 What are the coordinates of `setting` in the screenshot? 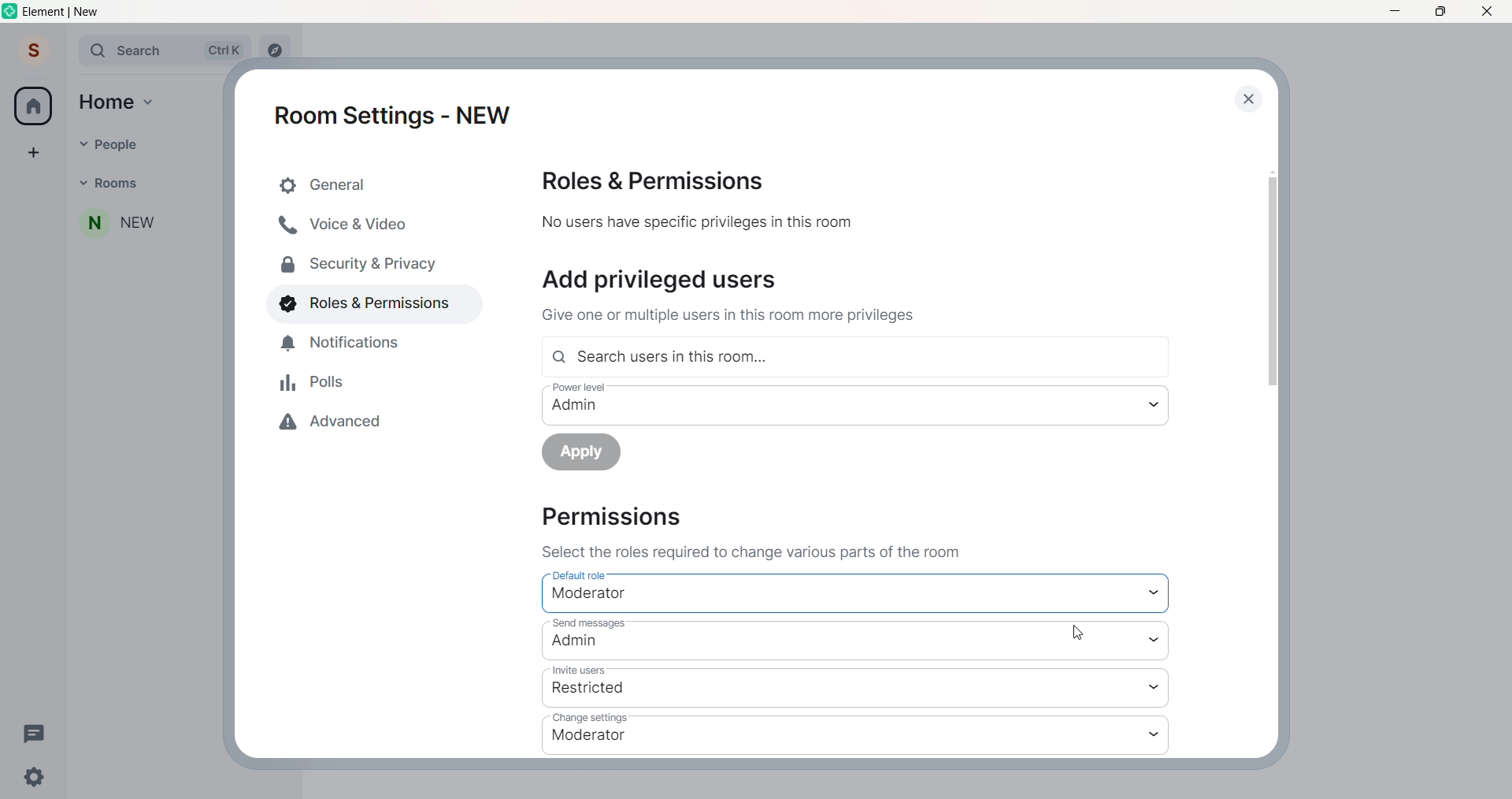 It's located at (31, 779).